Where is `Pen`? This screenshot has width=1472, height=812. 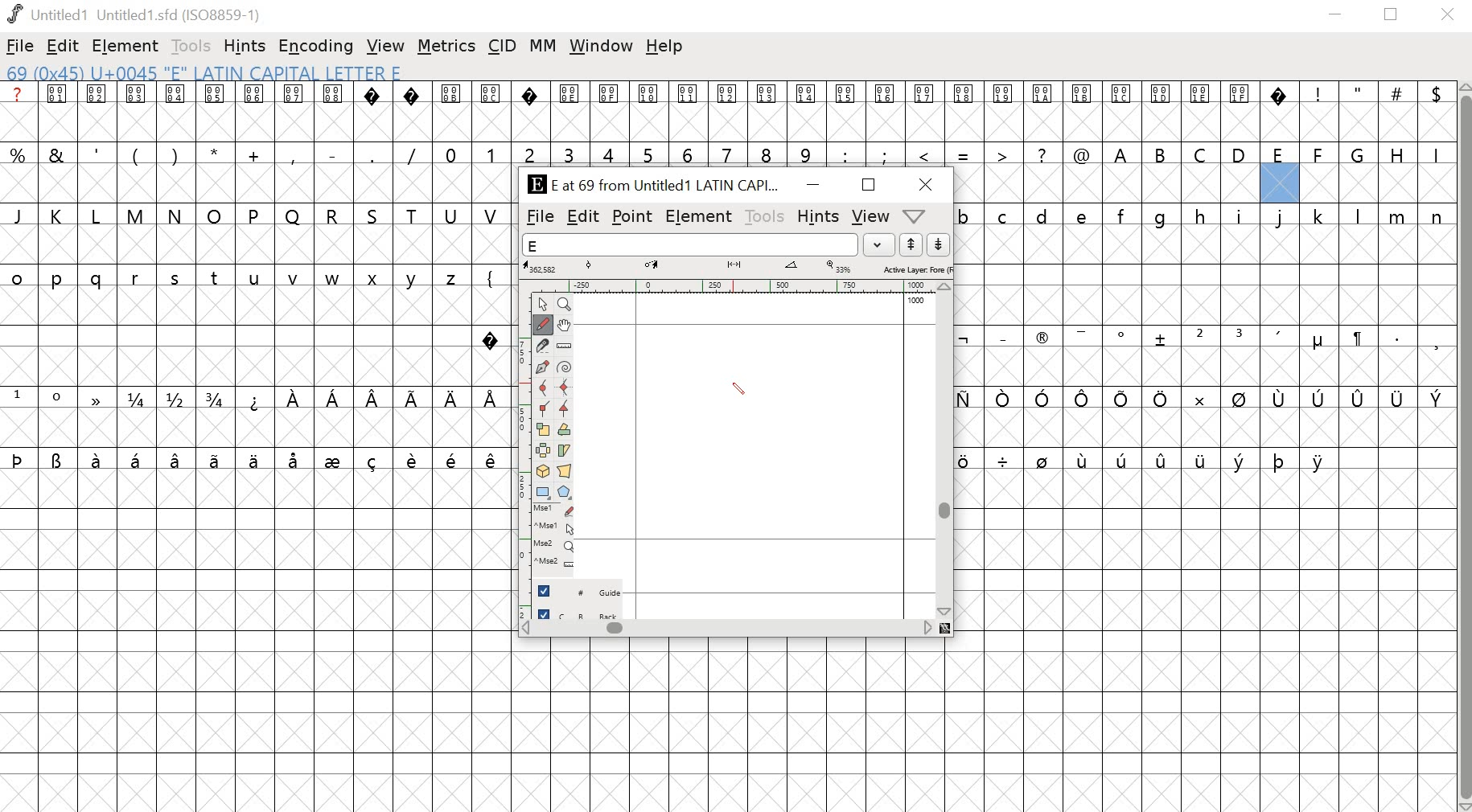 Pen is located at coordinates (544, 367).